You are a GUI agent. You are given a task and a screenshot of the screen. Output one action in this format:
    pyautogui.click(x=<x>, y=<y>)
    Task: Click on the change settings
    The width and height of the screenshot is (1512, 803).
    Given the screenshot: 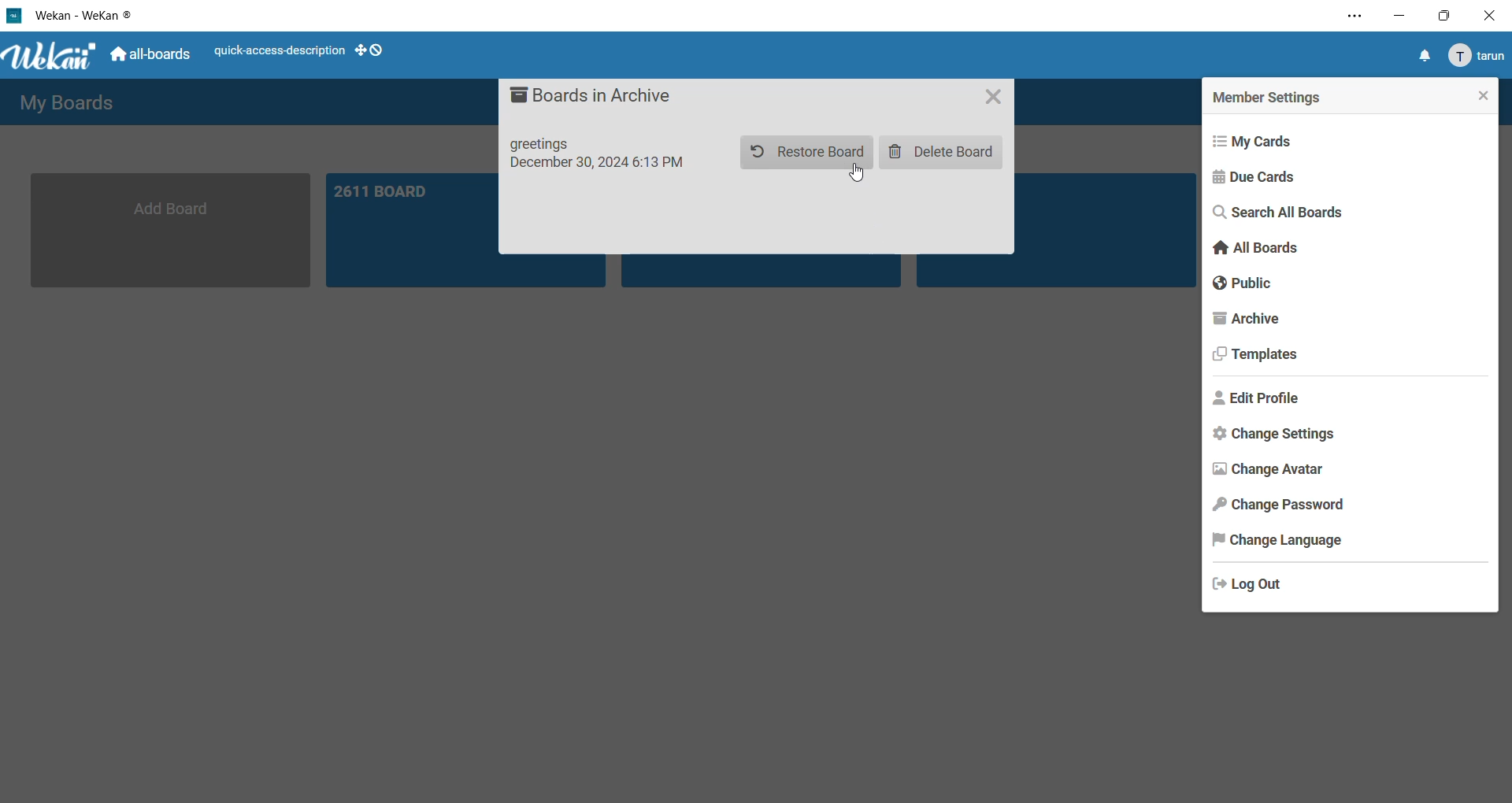 What is the action you would take?
    pyautogui.click(x=1274, y=437)
    